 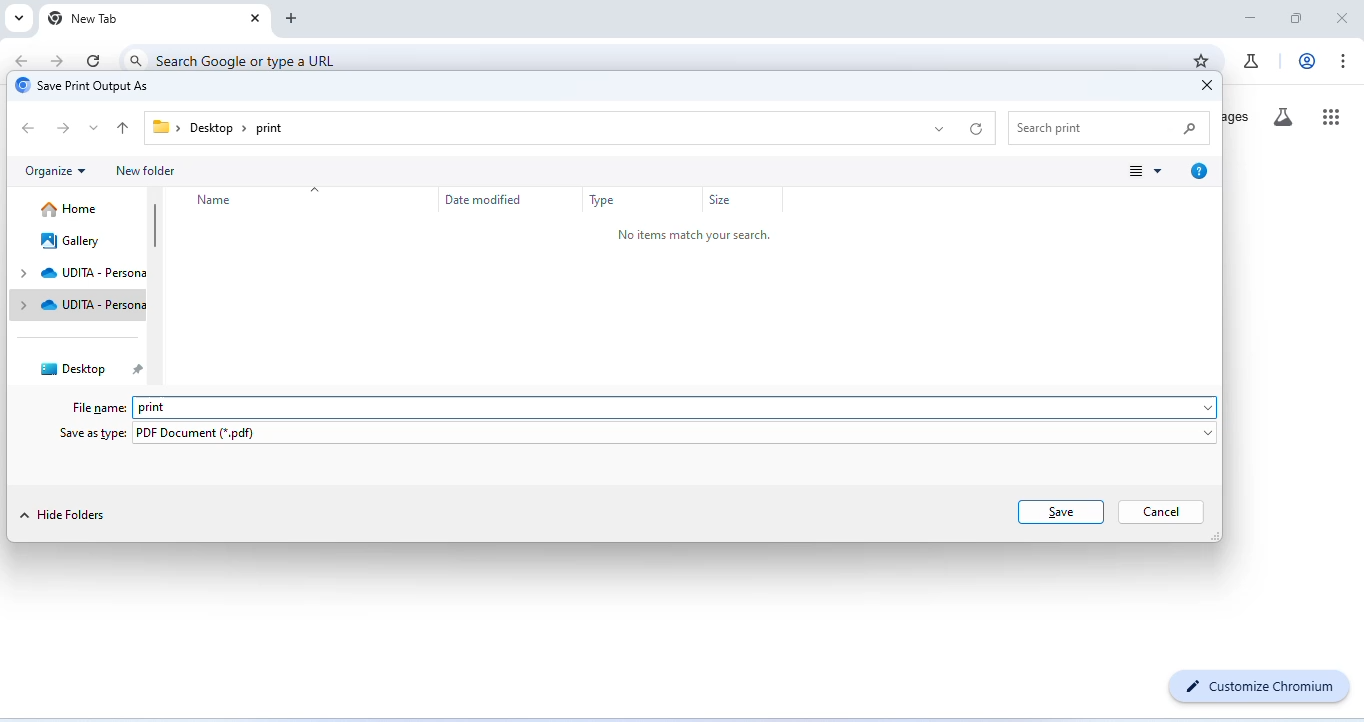 What do you see at coordinates (84, 19) in the screenshot?
I see `new tab` at bounding box center [84, 19].